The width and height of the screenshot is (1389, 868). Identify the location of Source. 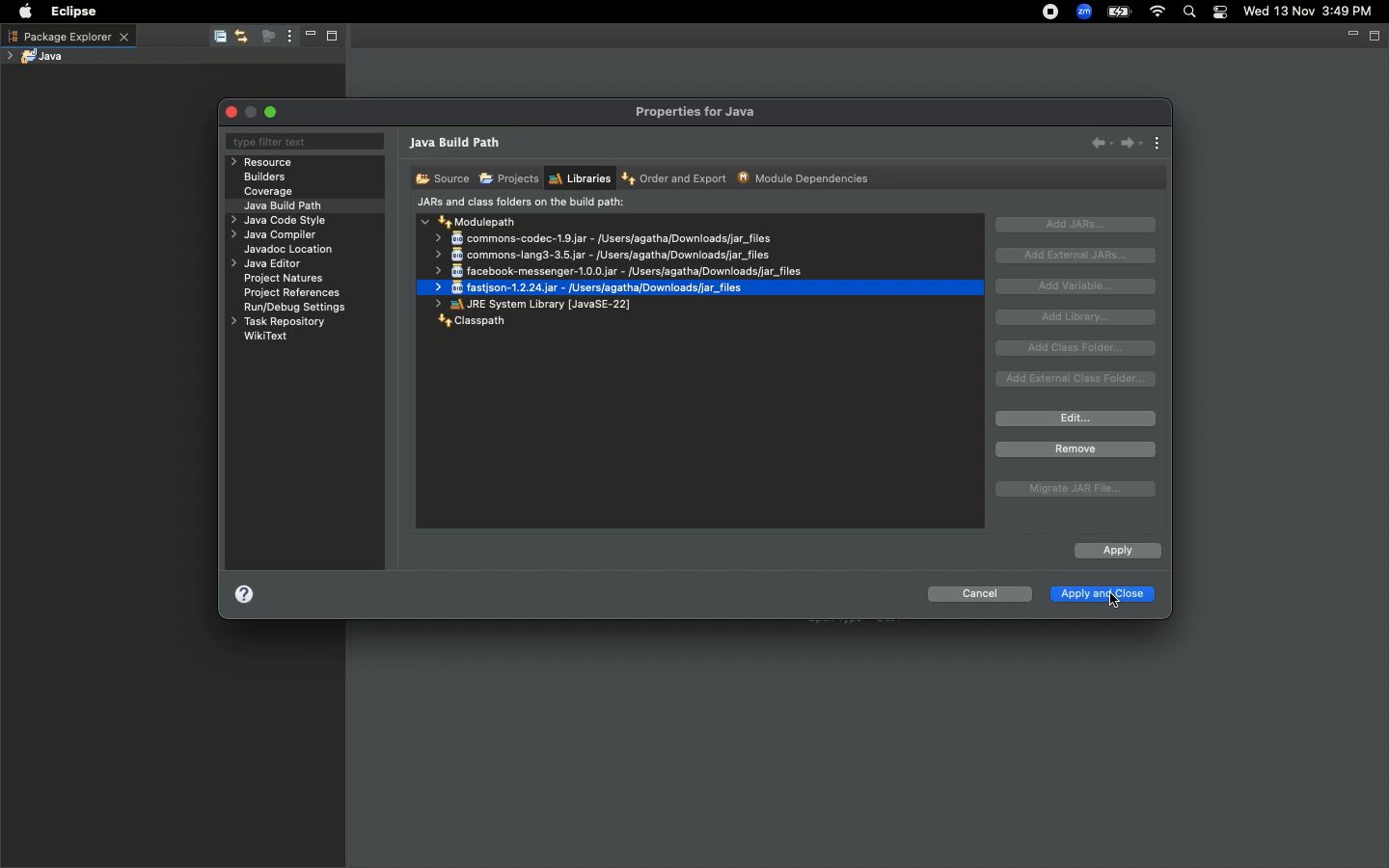
(440, 177).